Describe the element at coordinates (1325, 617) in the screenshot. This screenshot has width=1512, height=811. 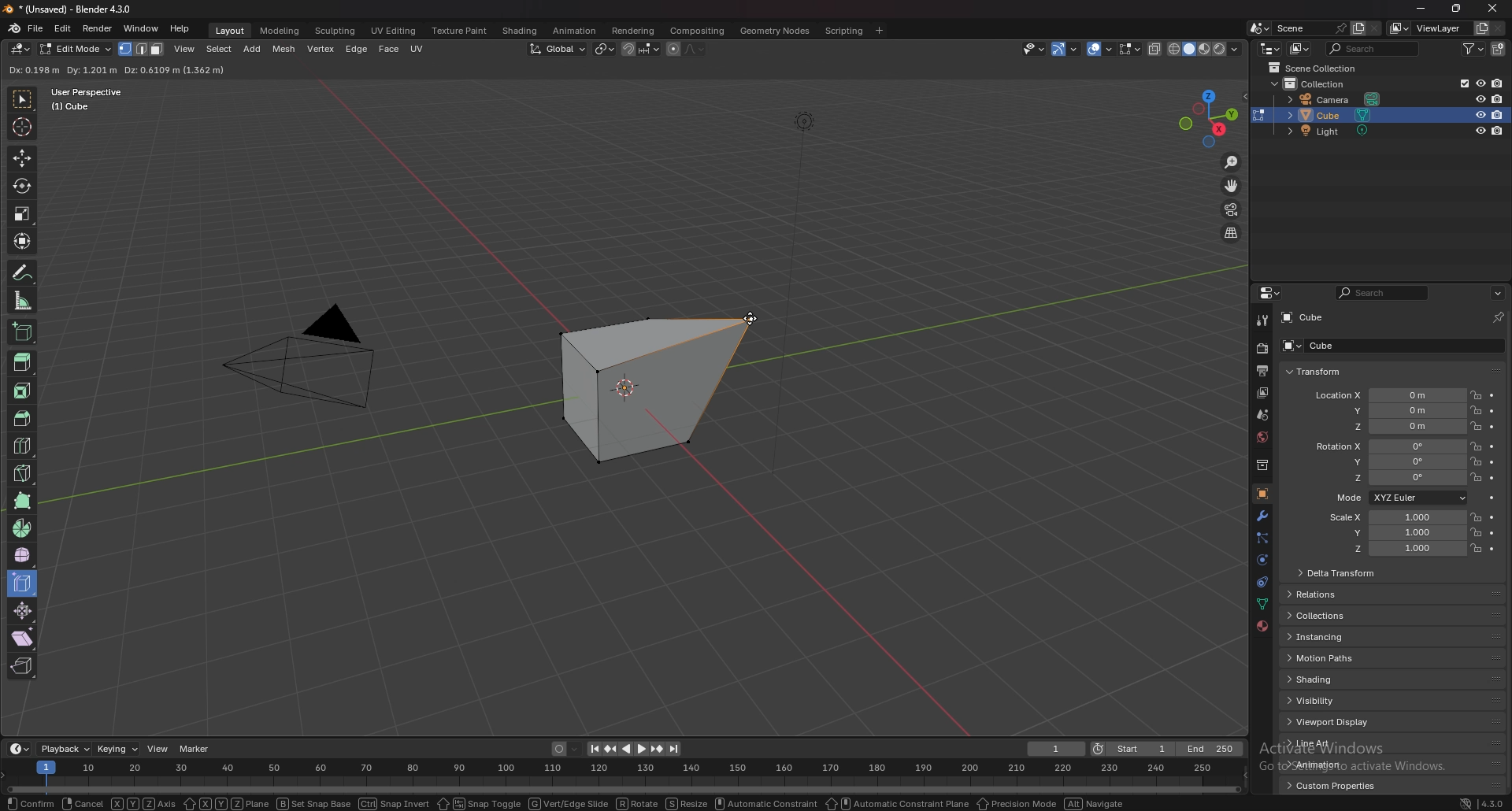
I see `collections` at that location.